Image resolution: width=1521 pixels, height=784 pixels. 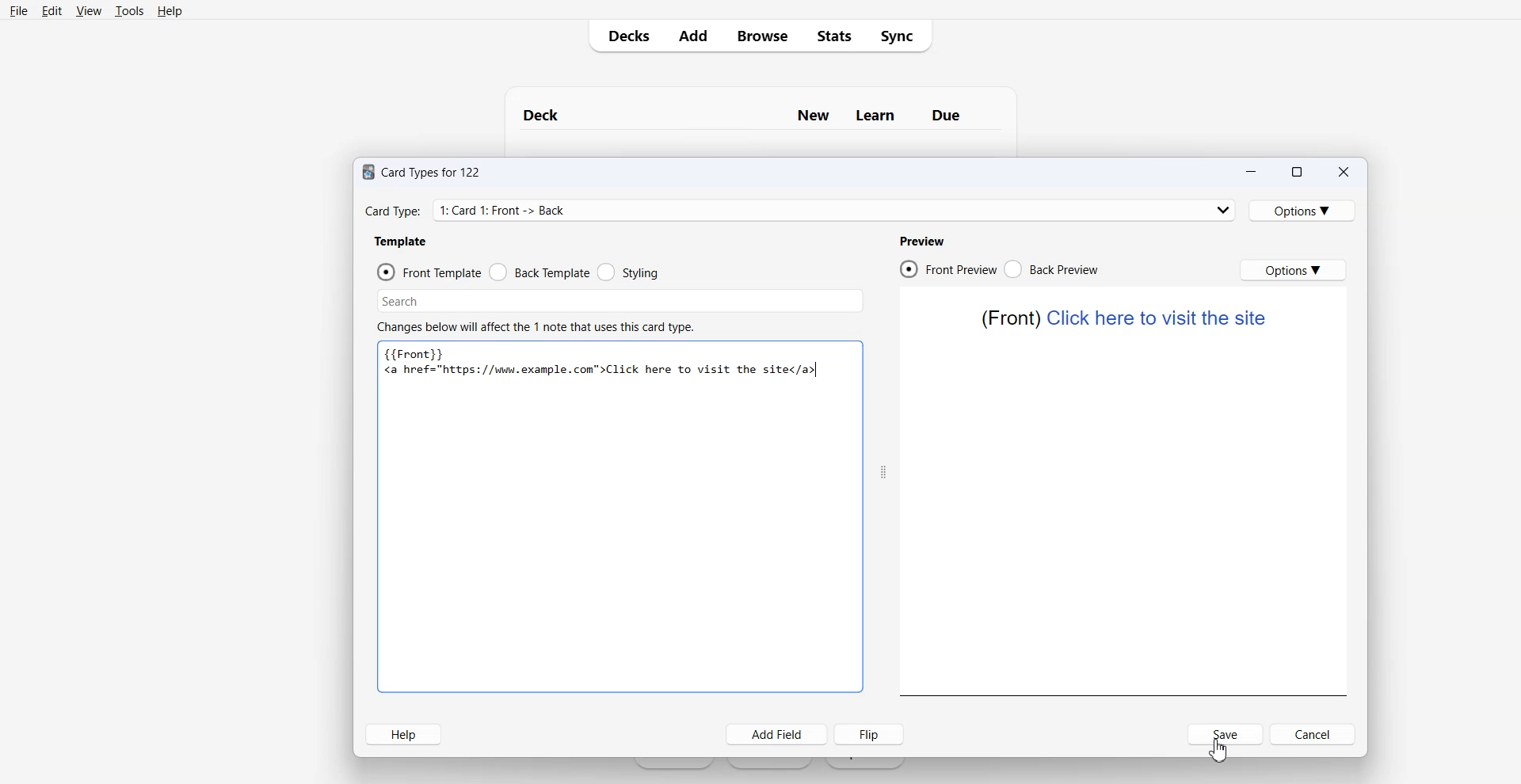 What do you see at coordinates (1313, 734) in the screenshot?
I see `Cancel` at bounding box center [1313, 734].